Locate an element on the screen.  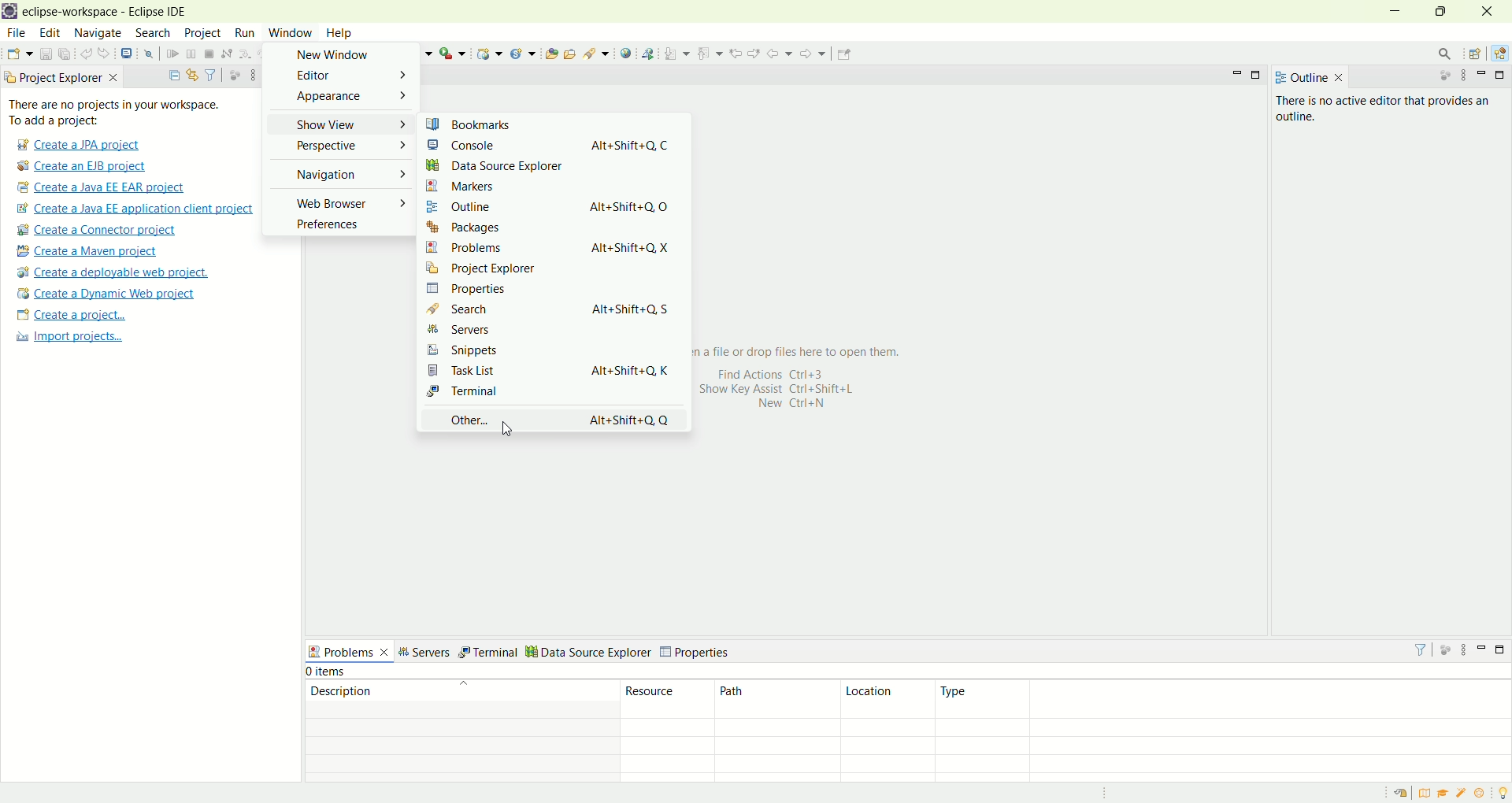
Find Actions Ctrl+3 show key Assist Ctrl+shift+L New Ctrl+N is located at coordinates (793, 394).